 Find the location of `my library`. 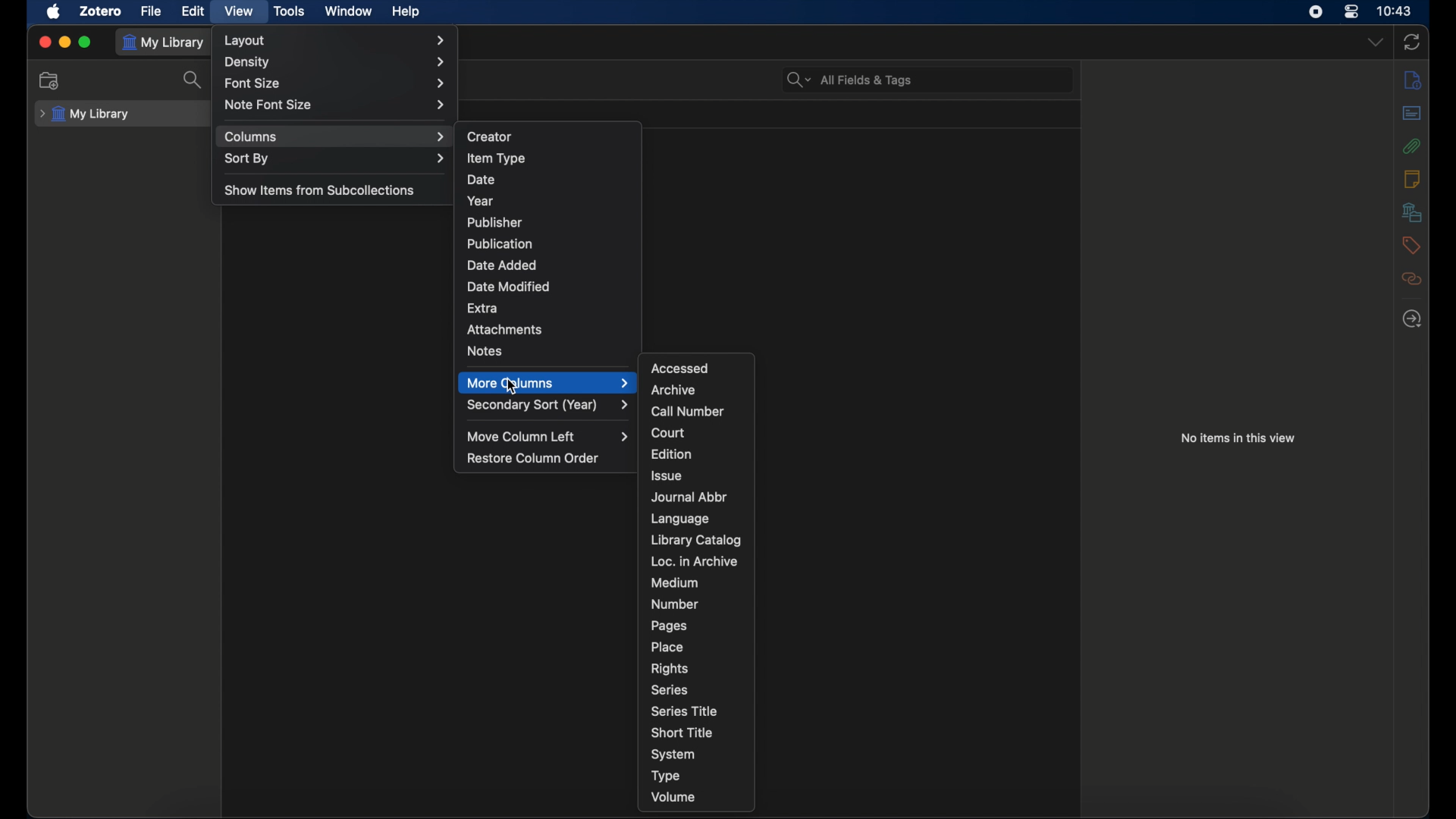

my library is located at coordinates (164, 42).